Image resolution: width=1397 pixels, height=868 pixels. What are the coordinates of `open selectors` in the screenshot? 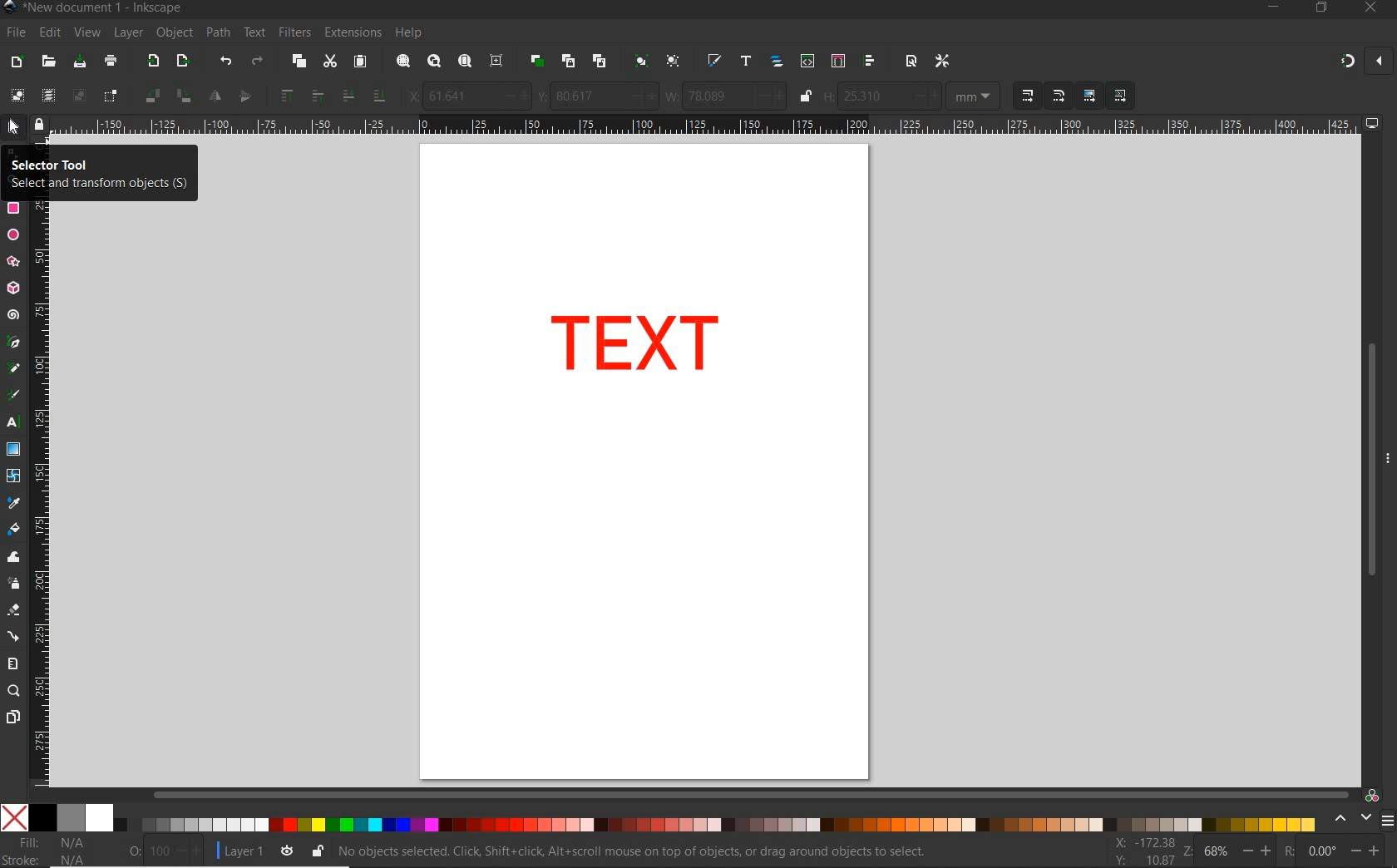 It's located at (837, 62).